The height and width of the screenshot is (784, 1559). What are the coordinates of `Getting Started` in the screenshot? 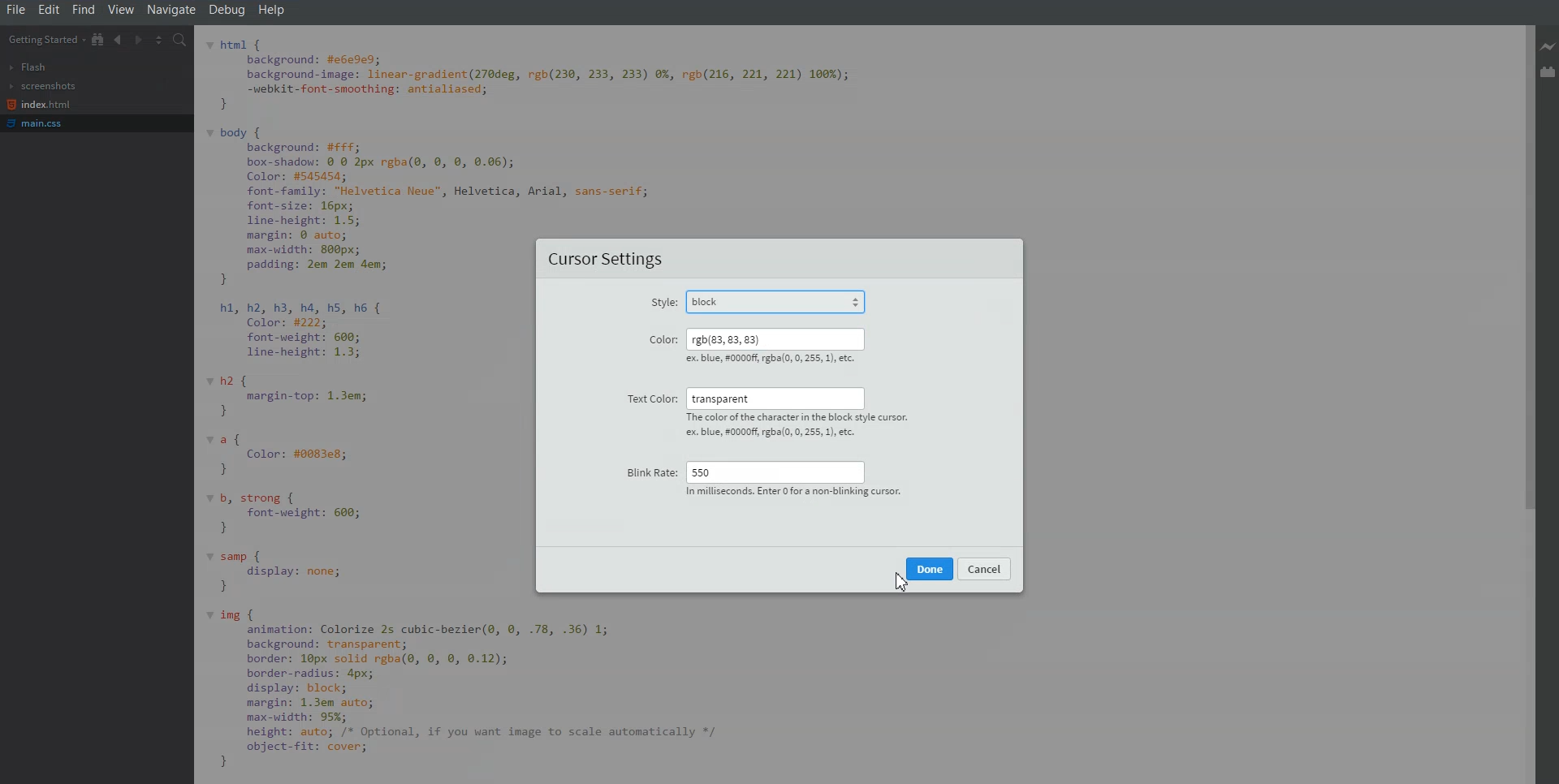 It's located at (45, 39).